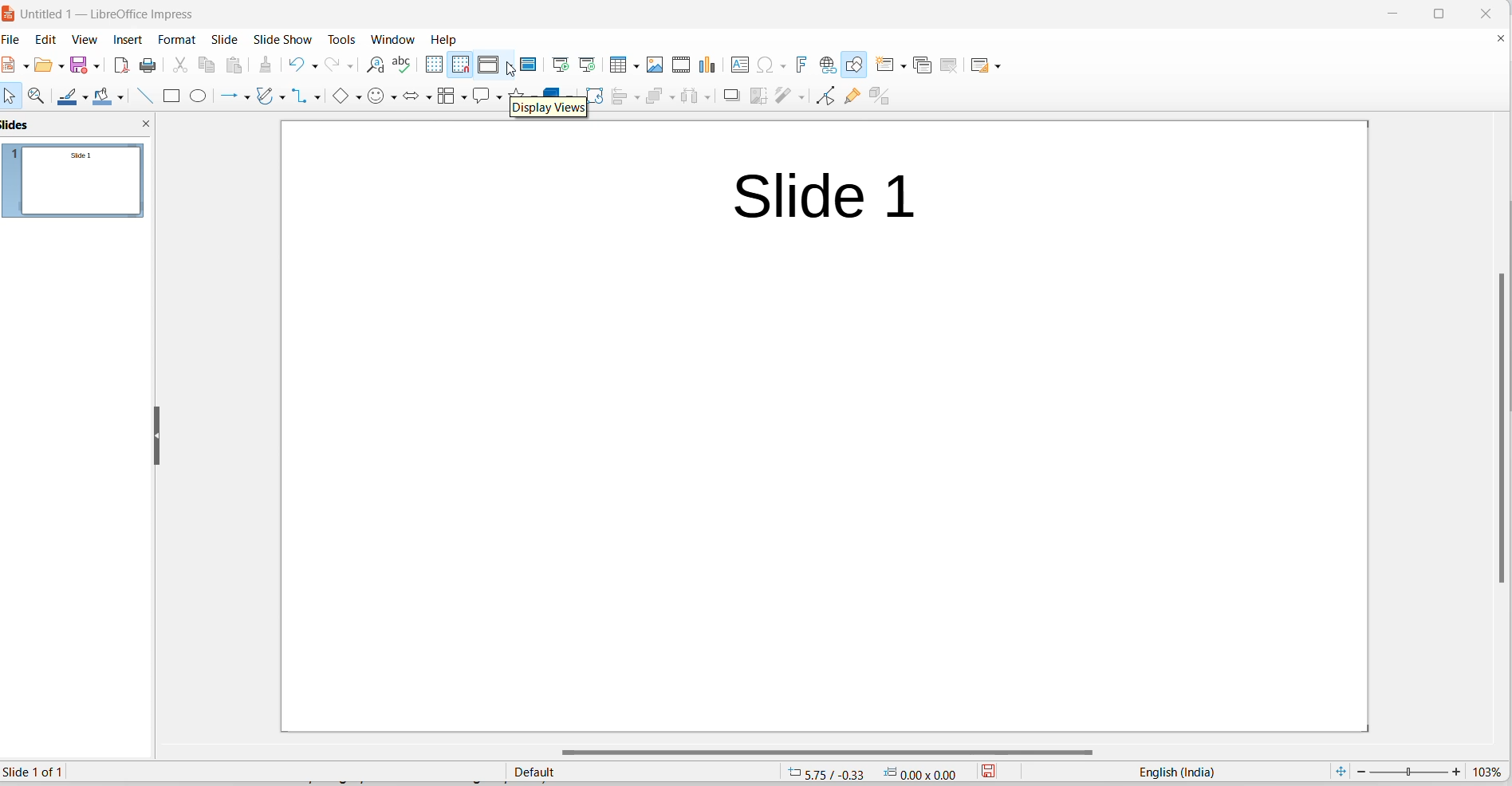 The width and height of the screenshot is (1512, 786). What do you see at coordinates (79, 185) in the screenshot?
I see `slides` at bounding box center [79, 185].